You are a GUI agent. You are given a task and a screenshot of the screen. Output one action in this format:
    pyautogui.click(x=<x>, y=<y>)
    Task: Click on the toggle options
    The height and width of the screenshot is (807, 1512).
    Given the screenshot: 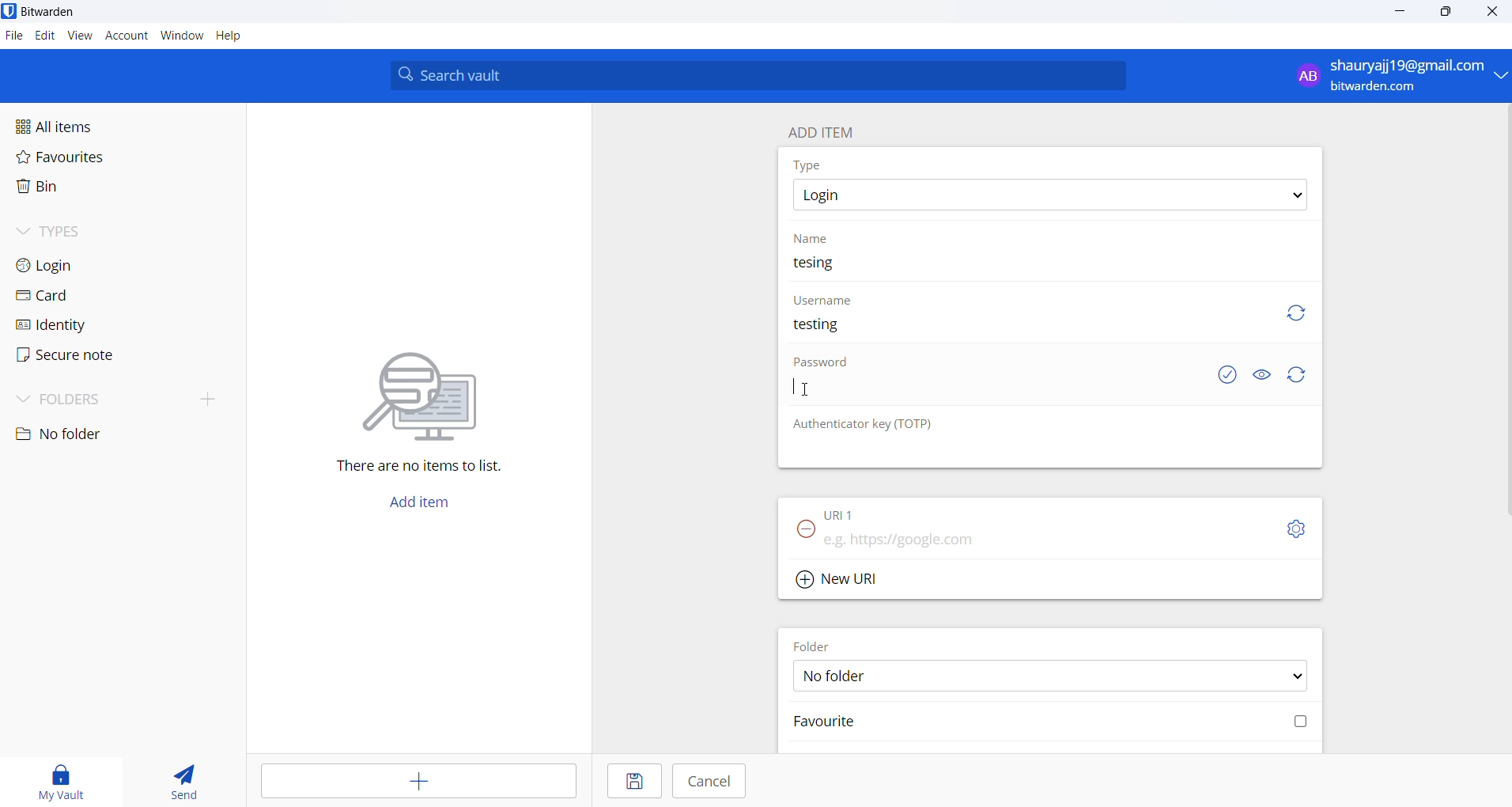 What is the action you would take?
    pyautogui.click(x=1296, y=529)
    